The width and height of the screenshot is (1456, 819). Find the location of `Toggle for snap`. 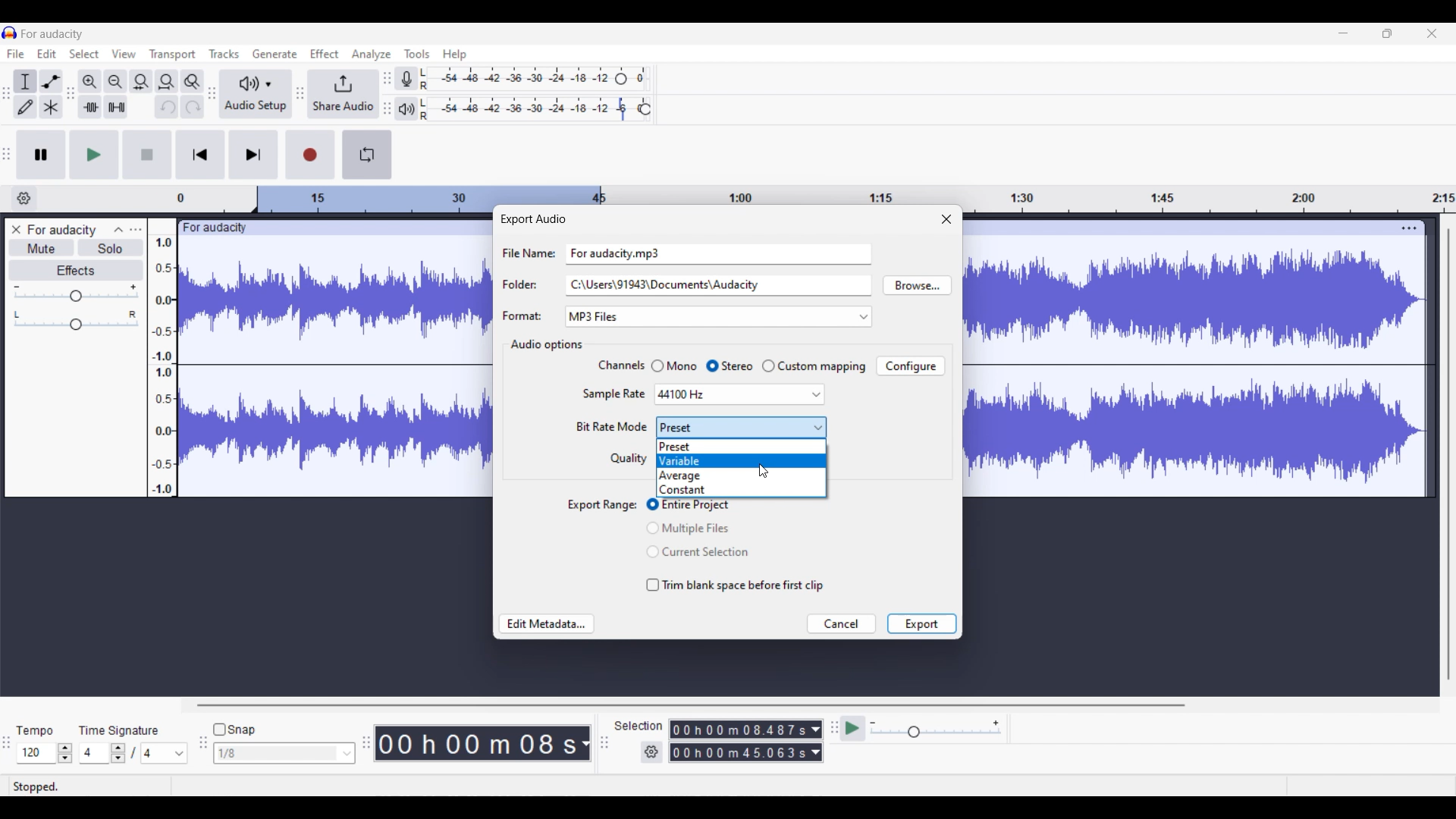

Toggle for snap is located at coordinates (234, 730).